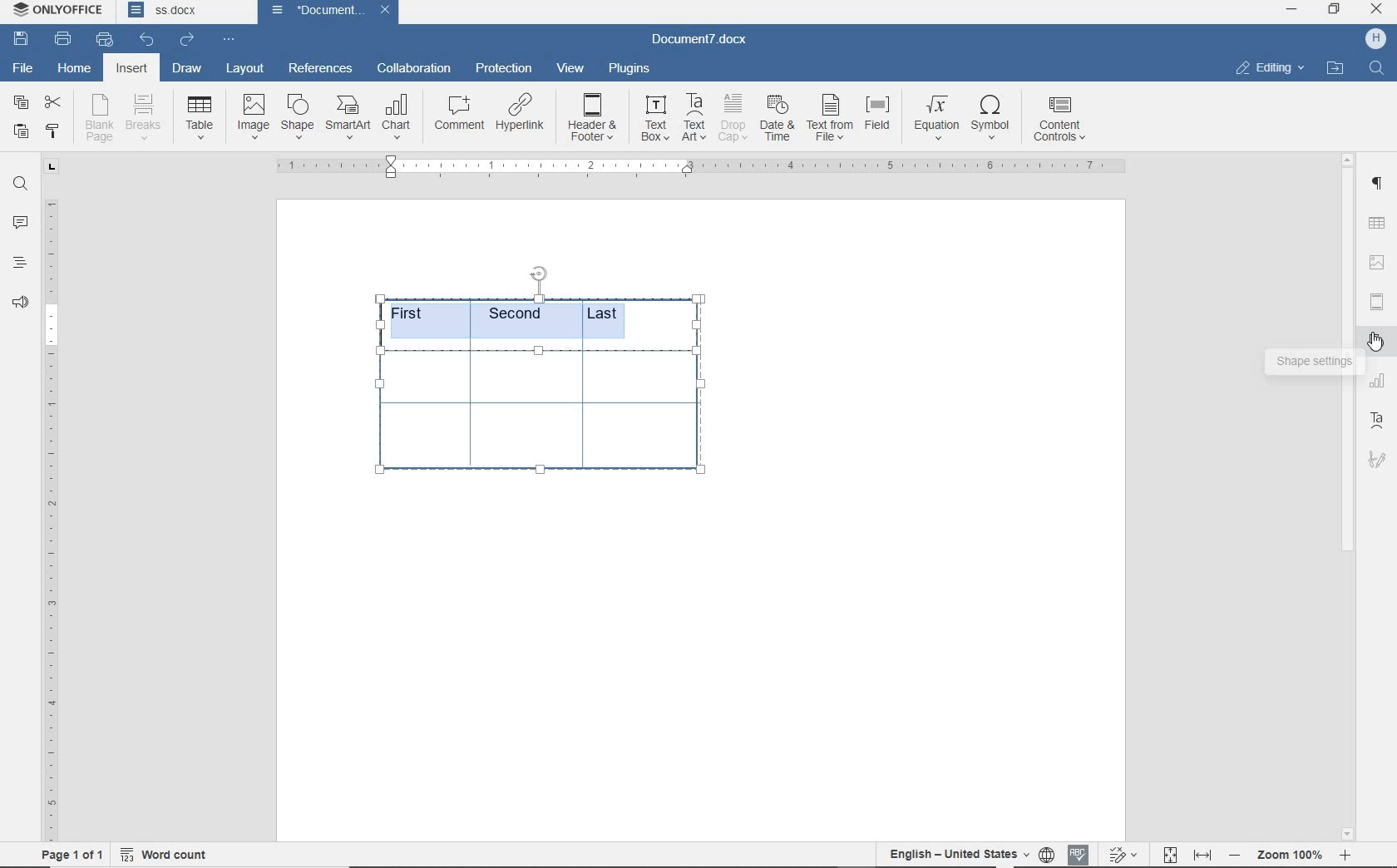 The image size is (1397, 868). I want to click on redo, so click(186, 39).